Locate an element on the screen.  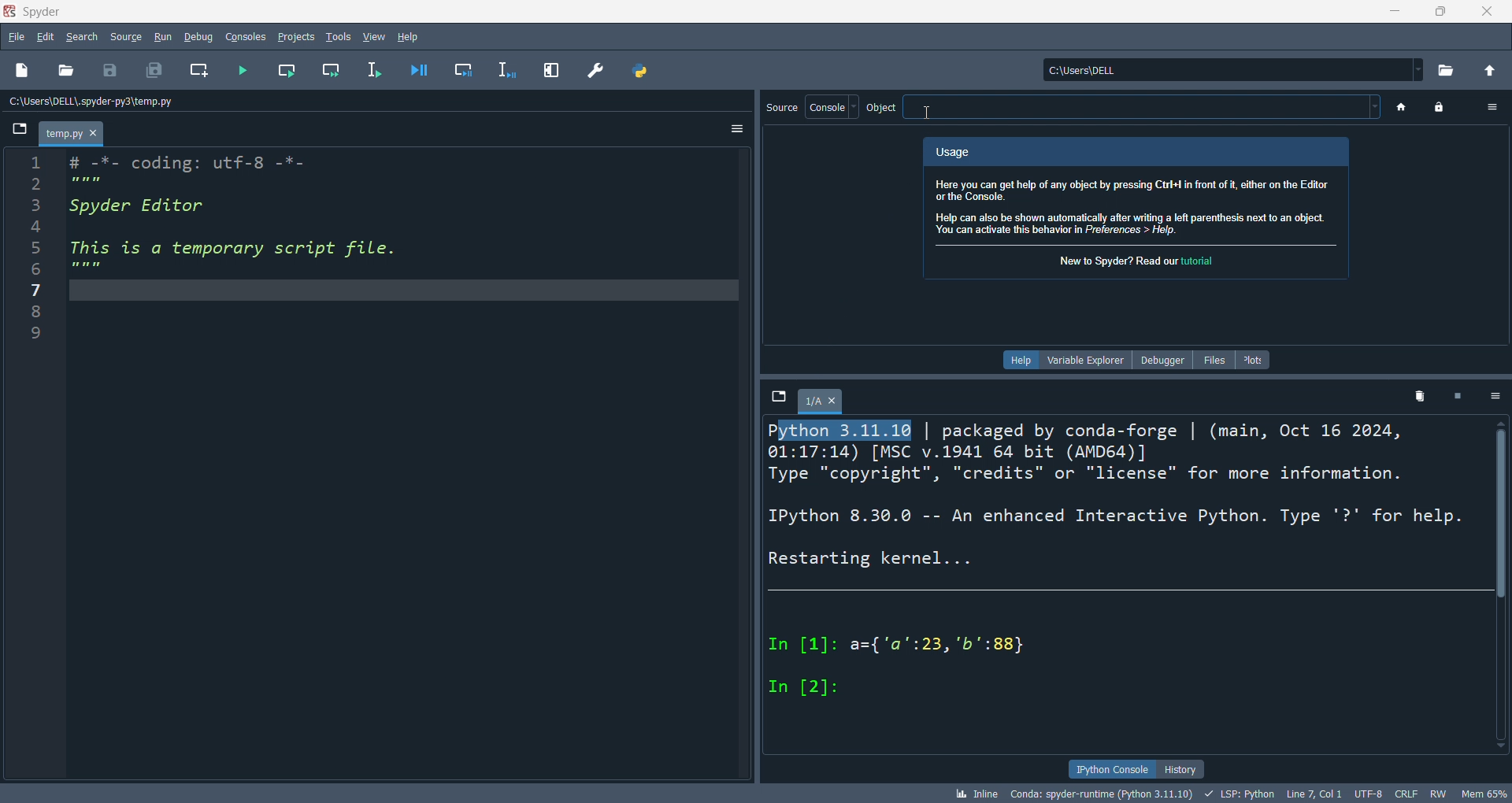
help is located at coordinates (409, 35).